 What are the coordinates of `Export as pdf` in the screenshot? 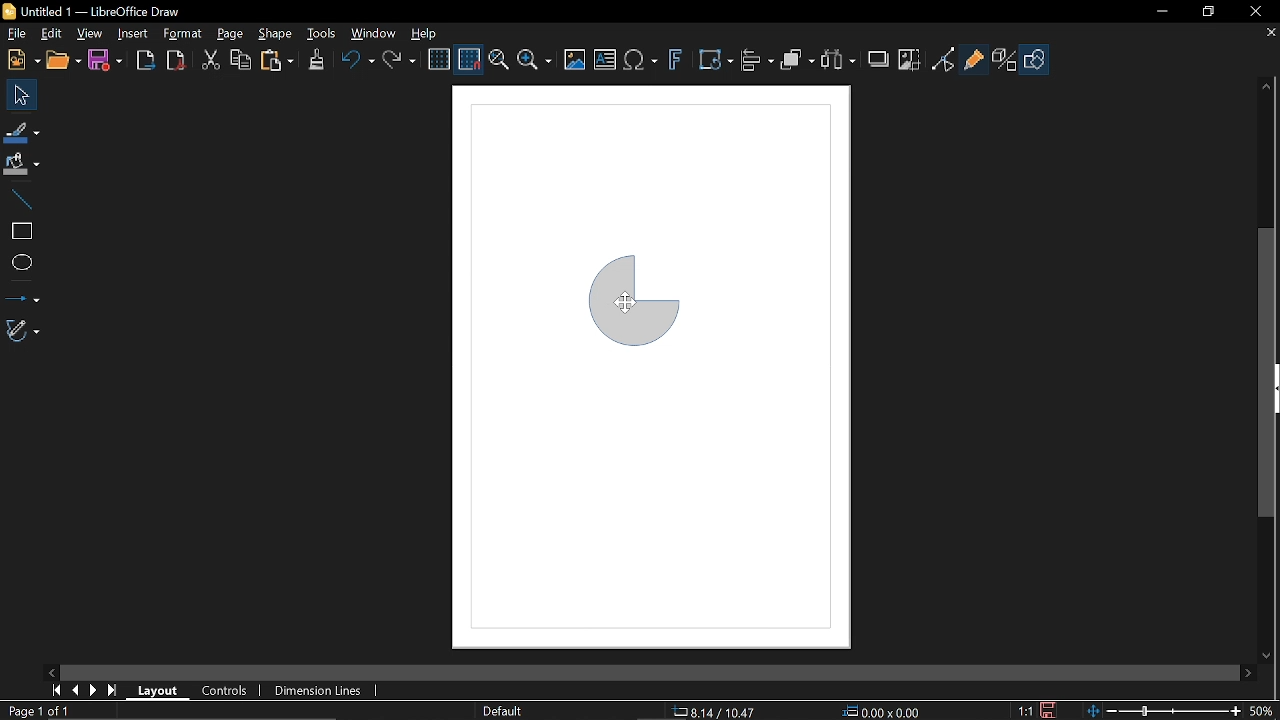 It's located at (175, 60).